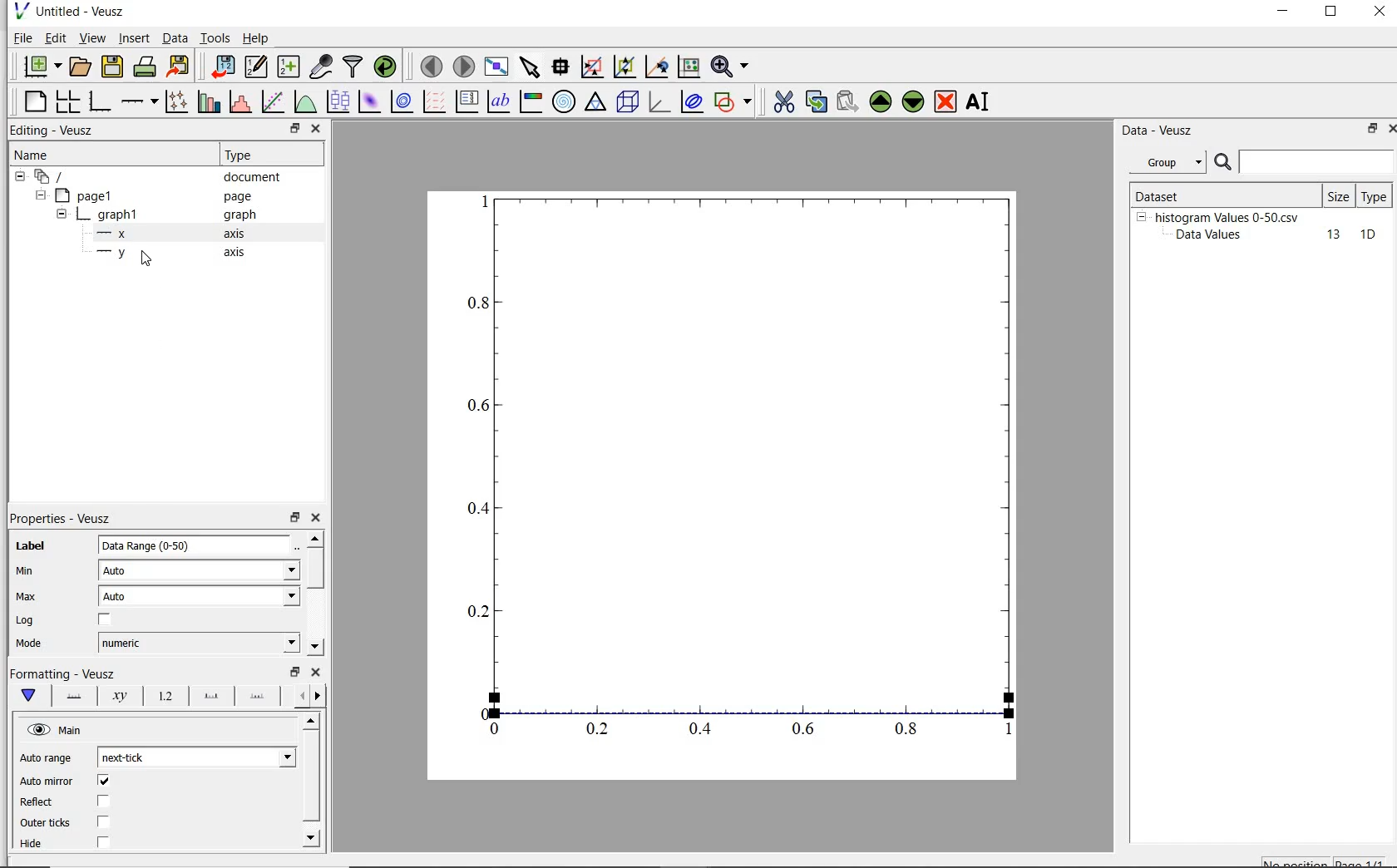 The height and width of the screenshot is (868, 1397). I want to click on text label, so click(501, 100).